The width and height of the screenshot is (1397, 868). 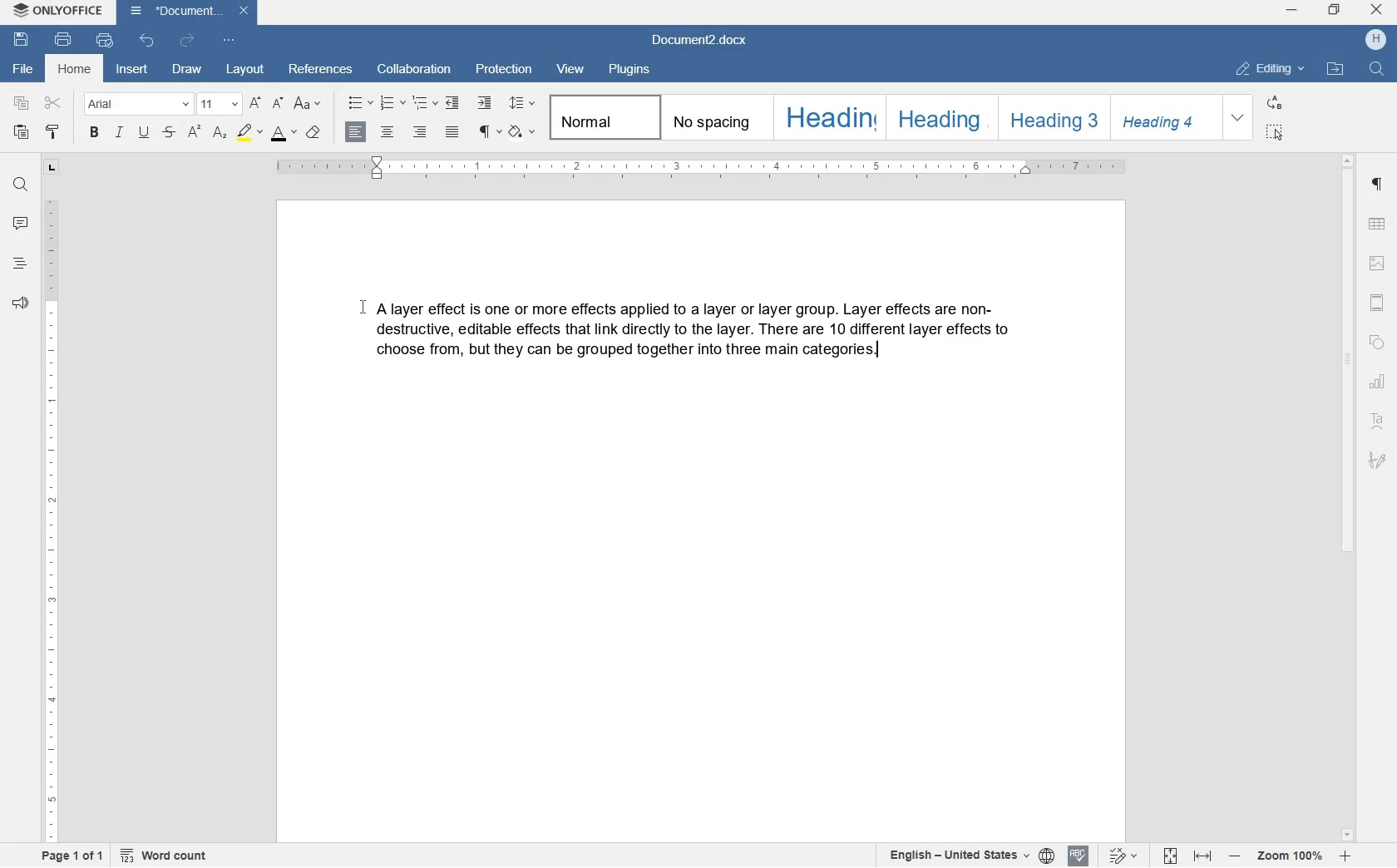 What do you see at coordinates (22, 223) in the screenshot?
I see `comment` at bounding box center [22, 223].